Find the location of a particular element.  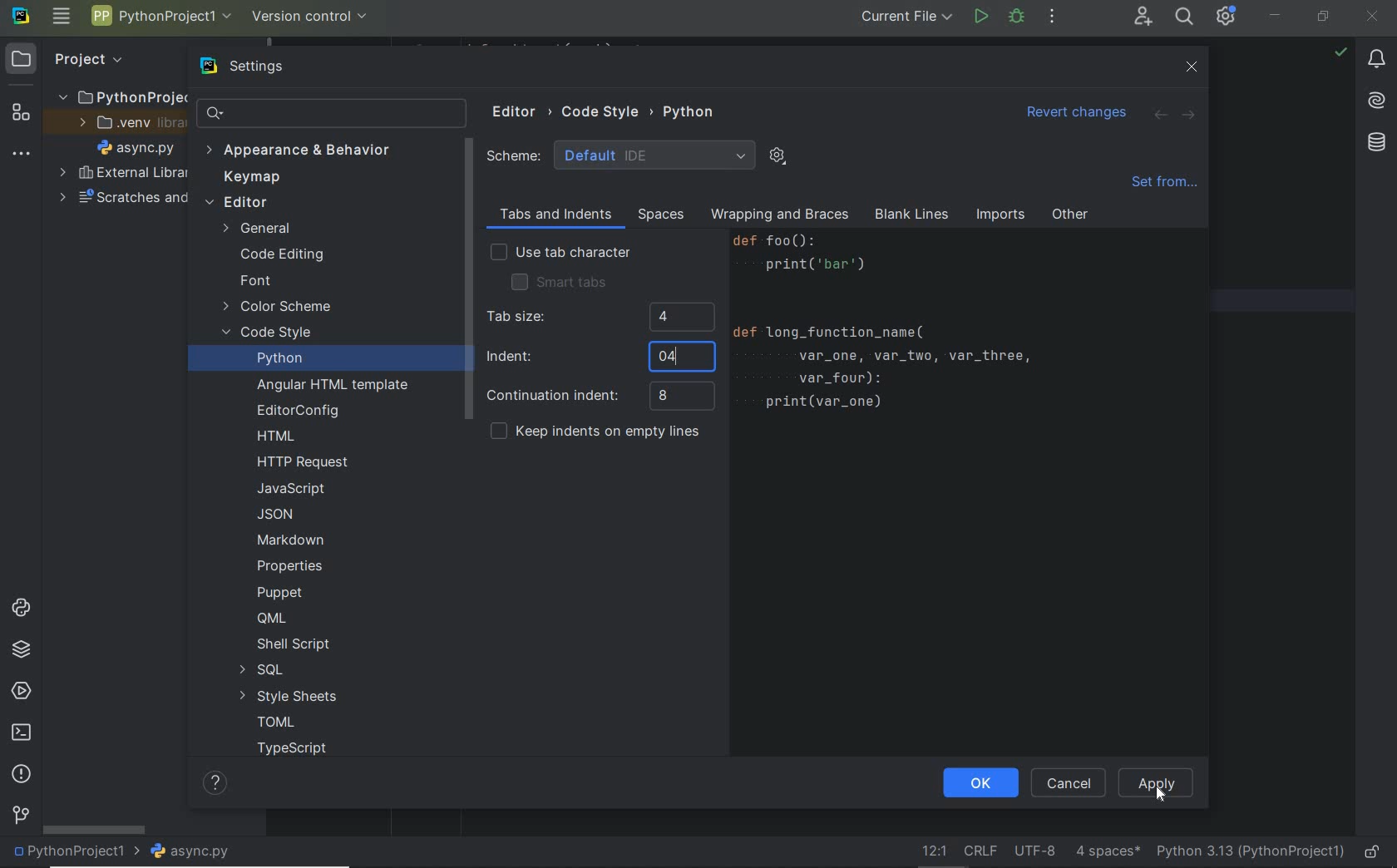

smart tabs is located at coordinates (559, 281).